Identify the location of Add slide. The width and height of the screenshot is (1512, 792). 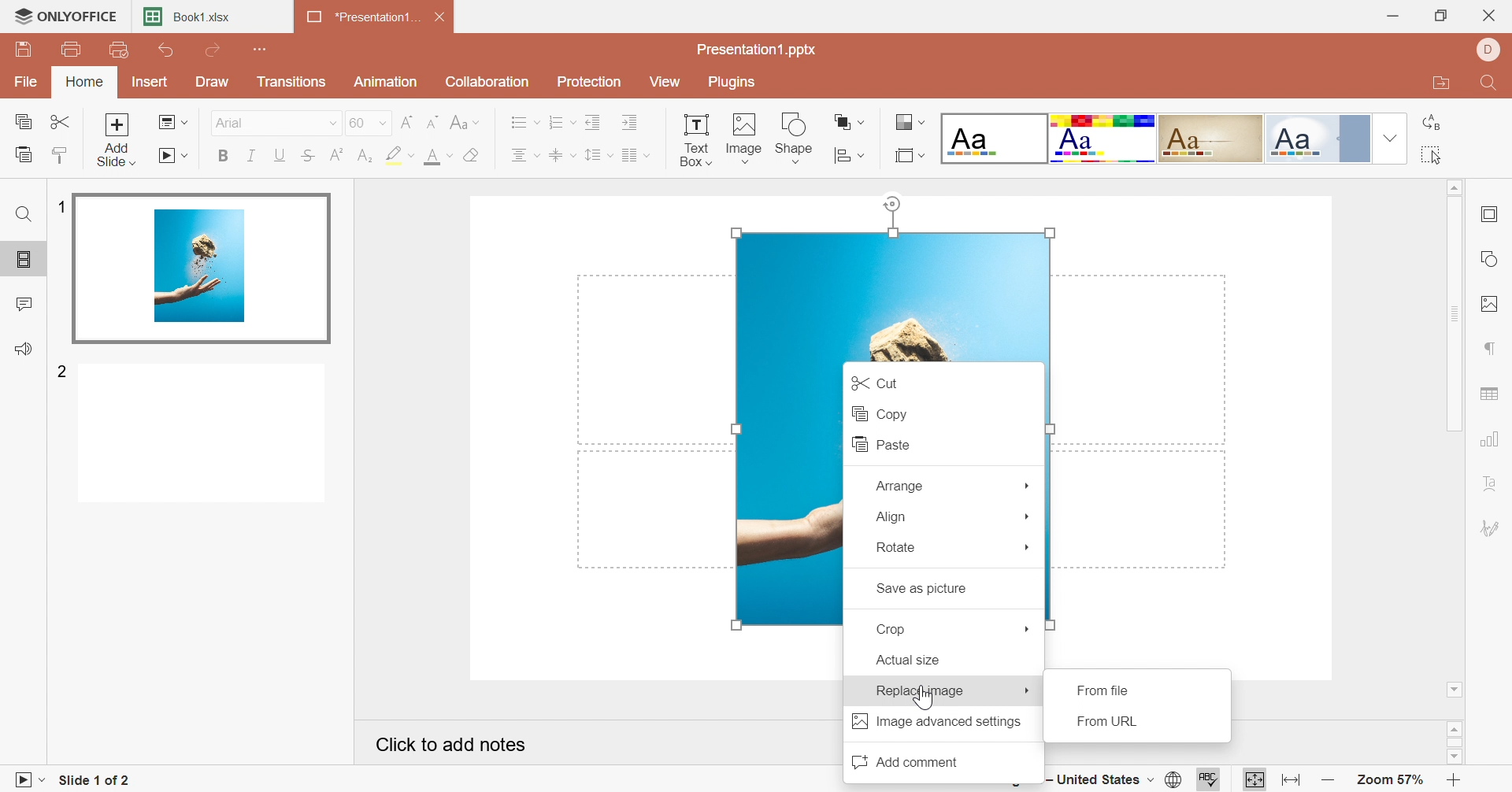
(117, 138).